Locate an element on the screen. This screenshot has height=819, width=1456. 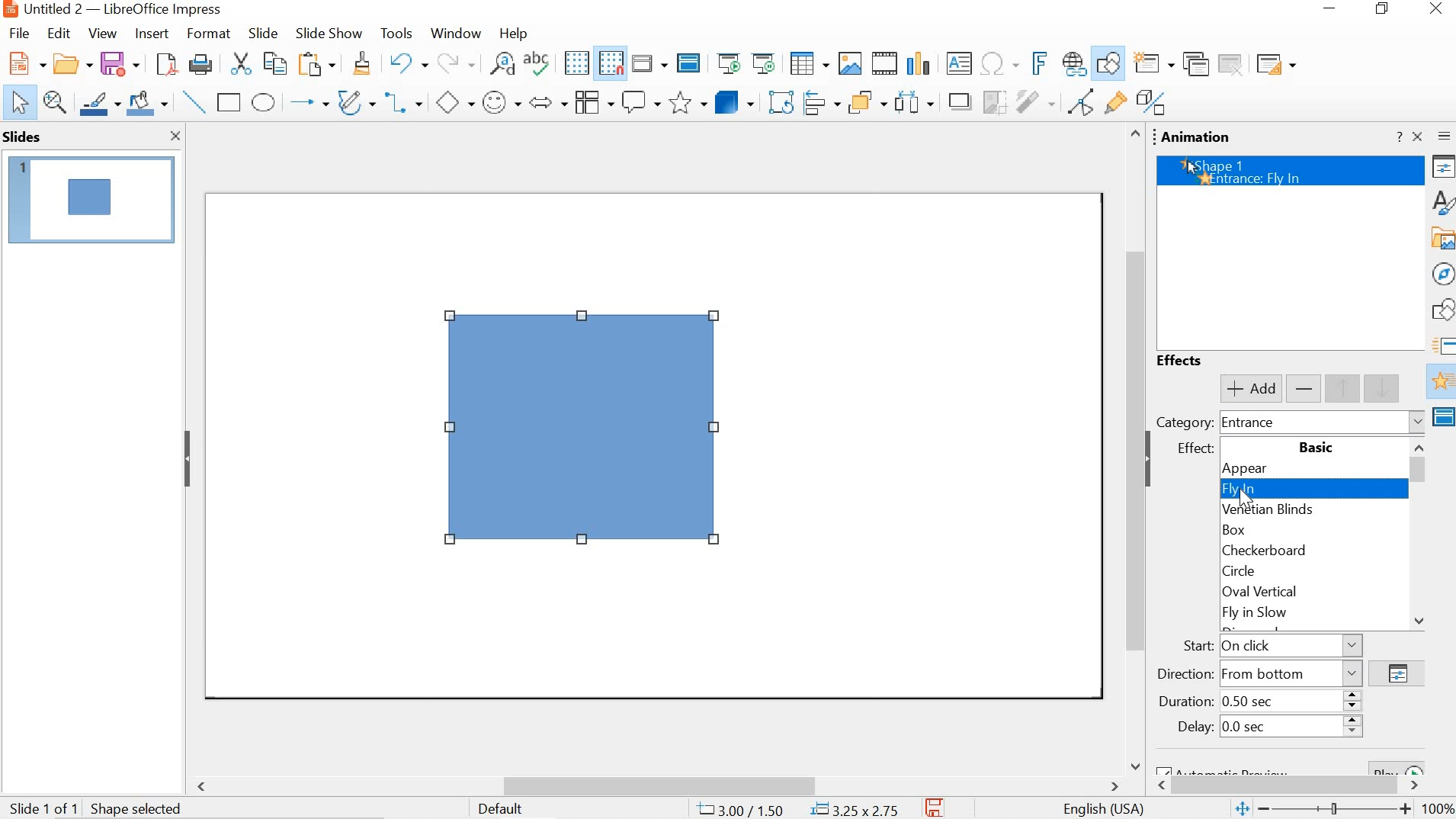
new slide is located at coordinates (1150, 63).